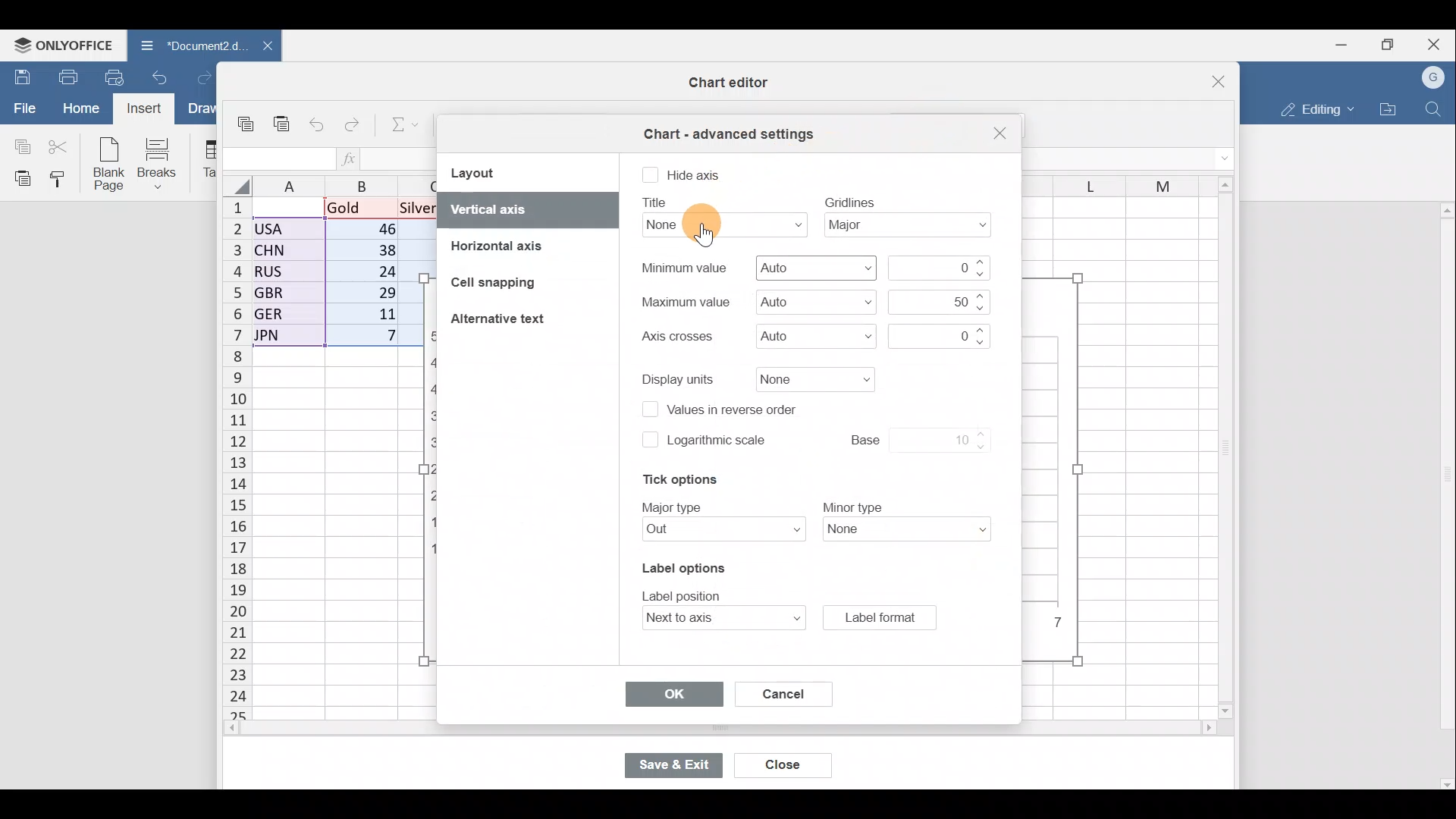  I want to click on text, so click(851, 505).